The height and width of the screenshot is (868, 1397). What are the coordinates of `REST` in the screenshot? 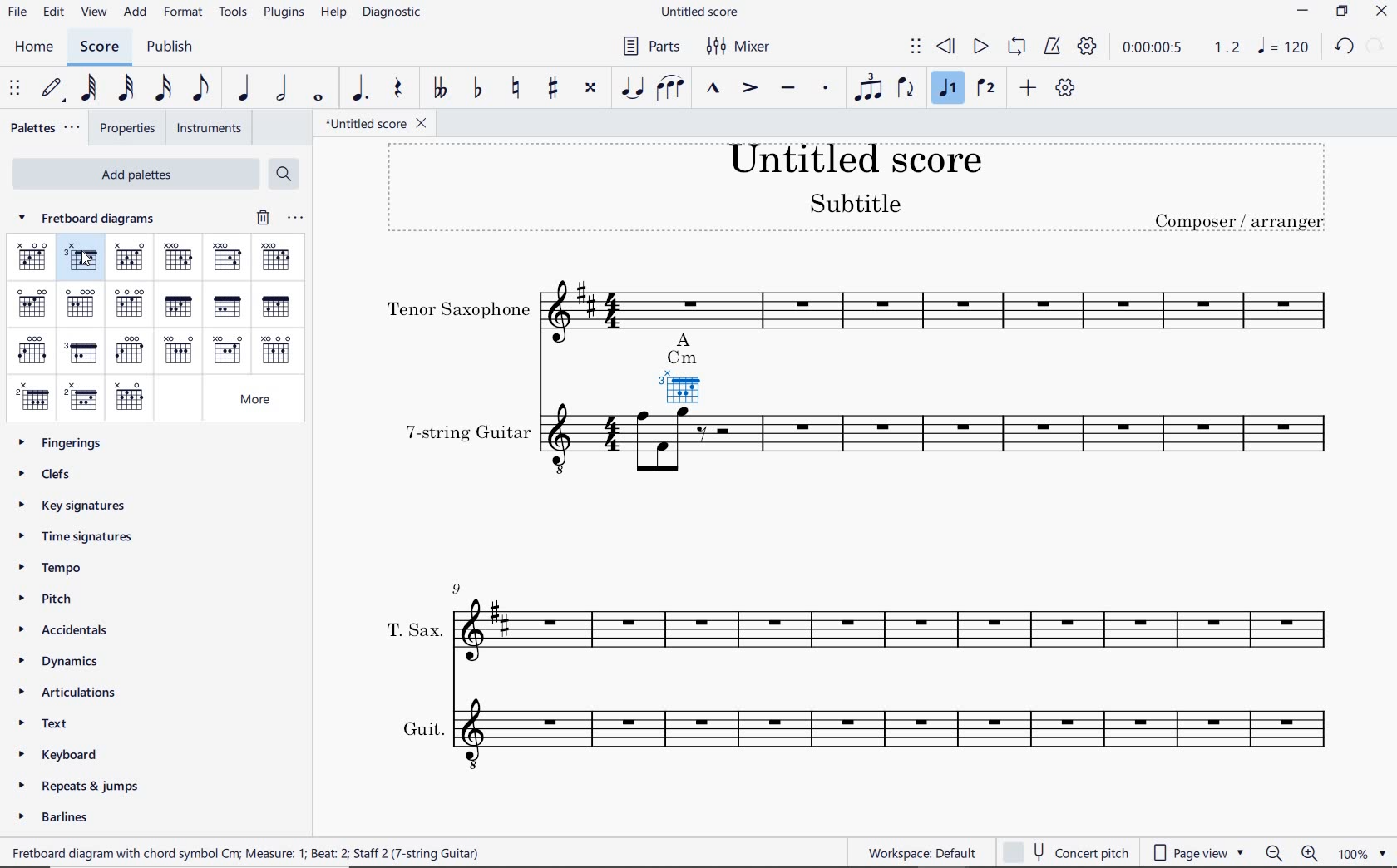 It's located at (402, 88).